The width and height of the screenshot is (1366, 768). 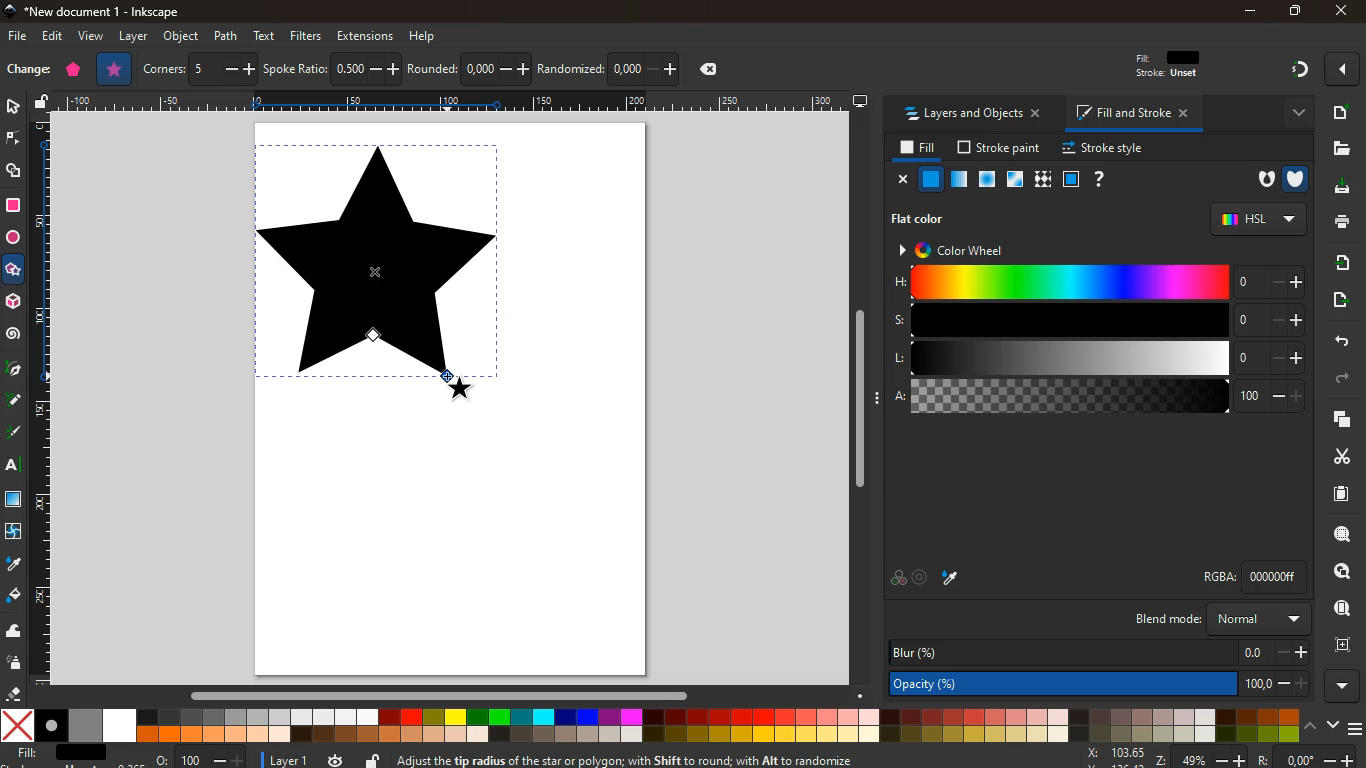 I want to click on send, so click(x=1341, y=263).